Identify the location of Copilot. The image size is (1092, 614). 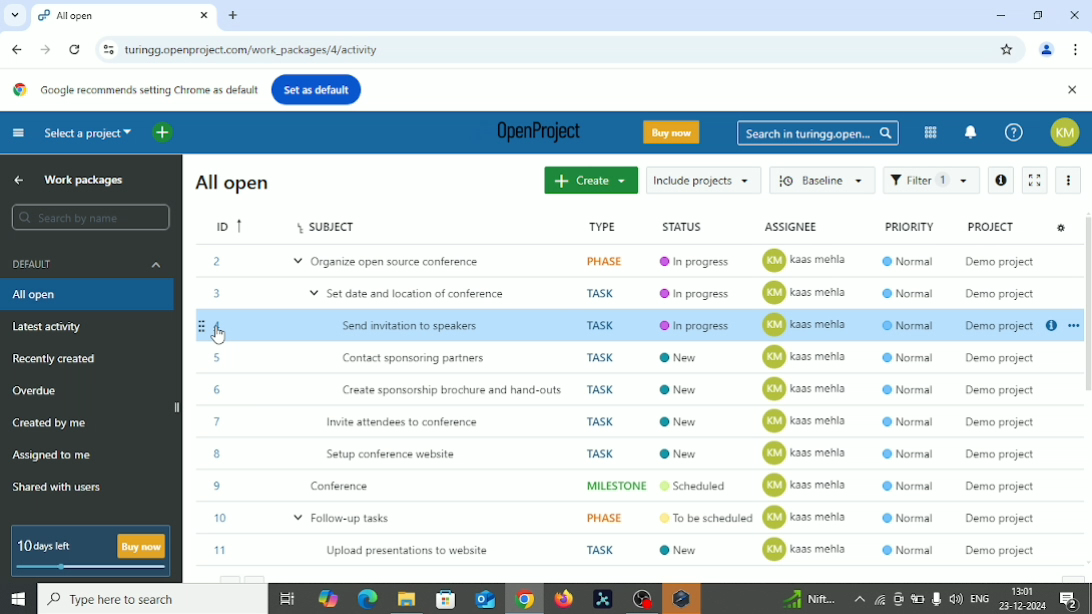
(330, 597).